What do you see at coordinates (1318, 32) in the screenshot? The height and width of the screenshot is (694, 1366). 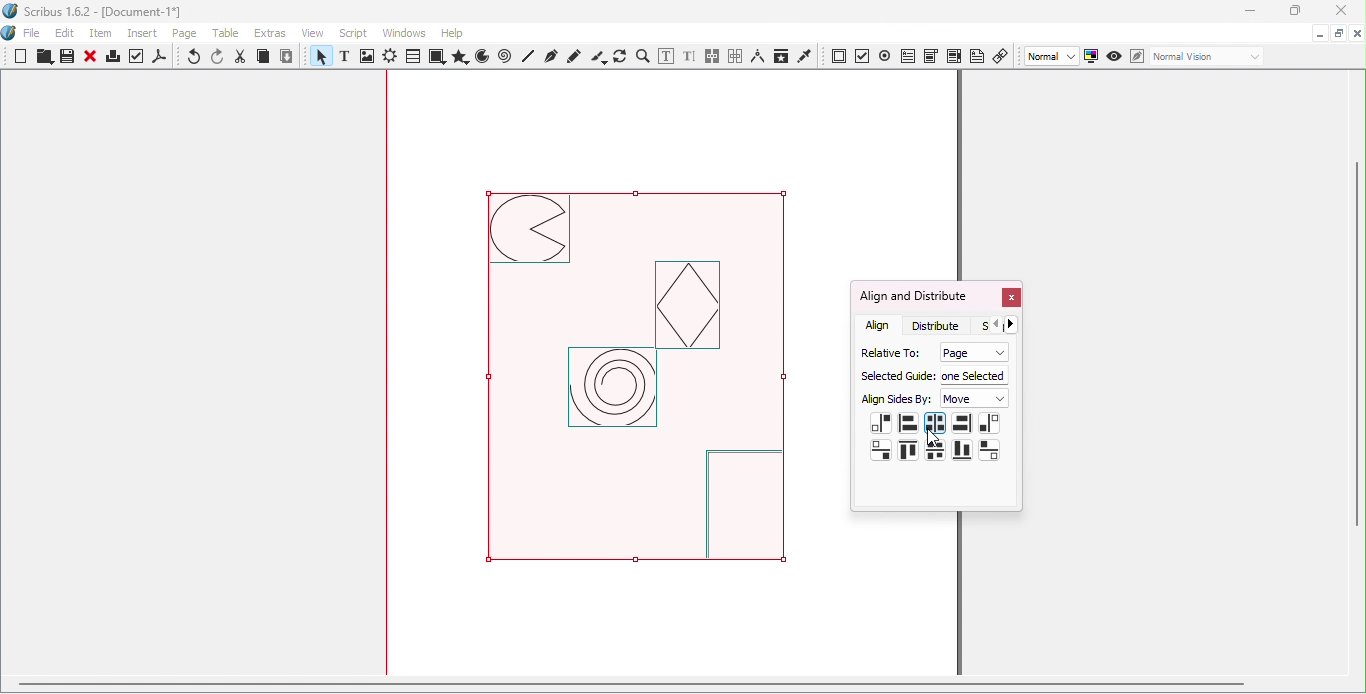 I see `Minimize` at bounding box center [1318, 32].